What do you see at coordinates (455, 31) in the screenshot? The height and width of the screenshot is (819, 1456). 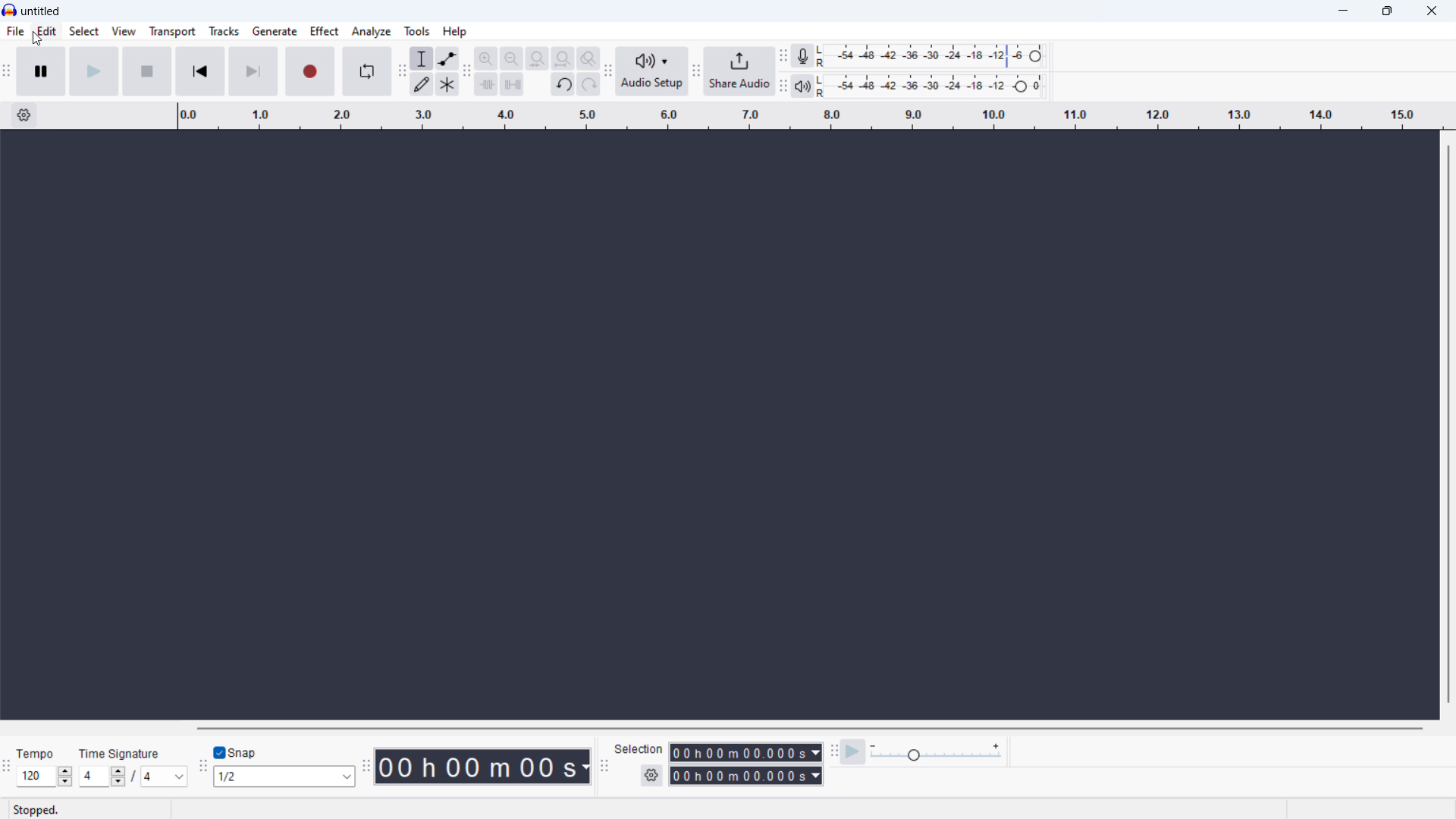 I see `help` at bounding box center [455, 31].